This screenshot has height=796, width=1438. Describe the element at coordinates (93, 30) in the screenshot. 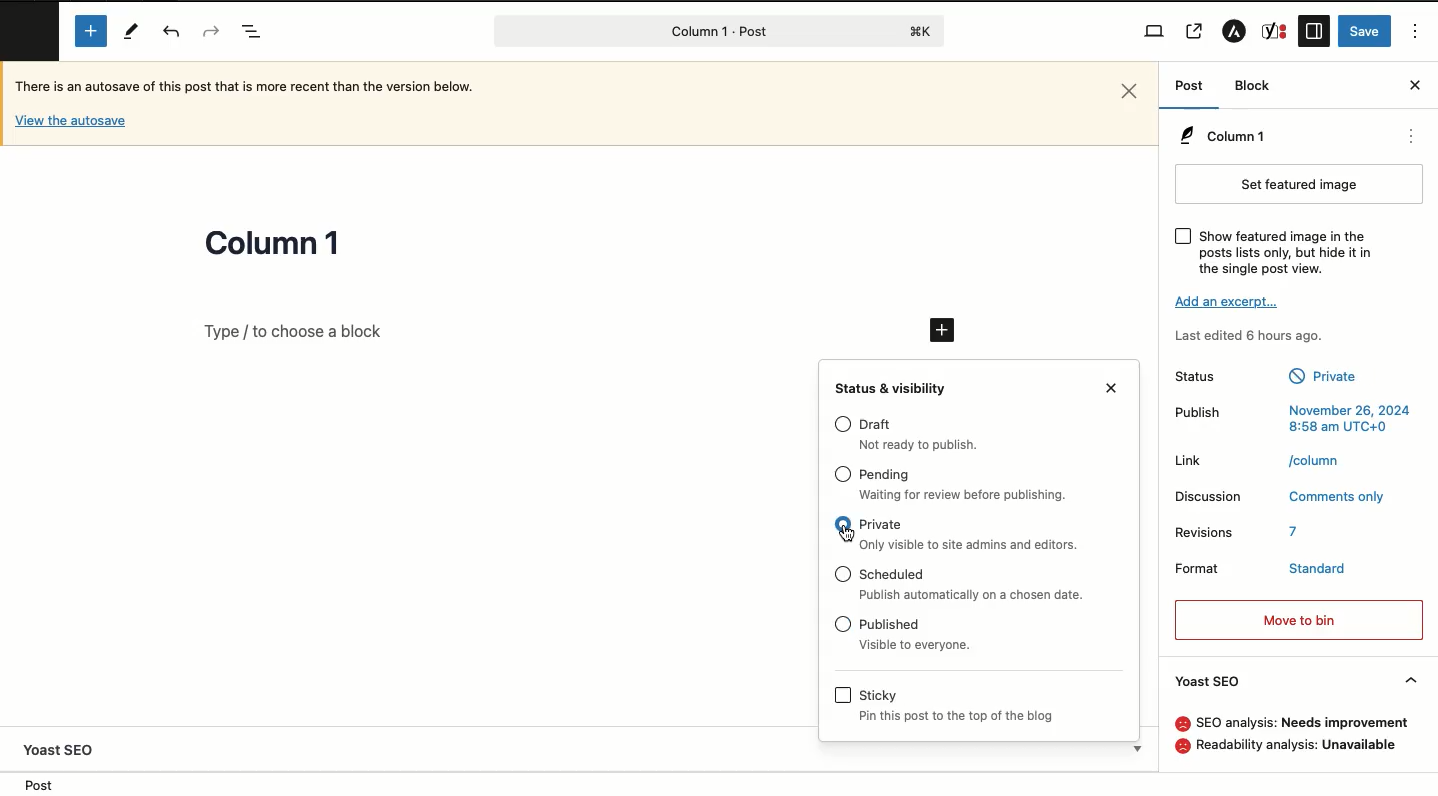

I see `Add block` at that location.